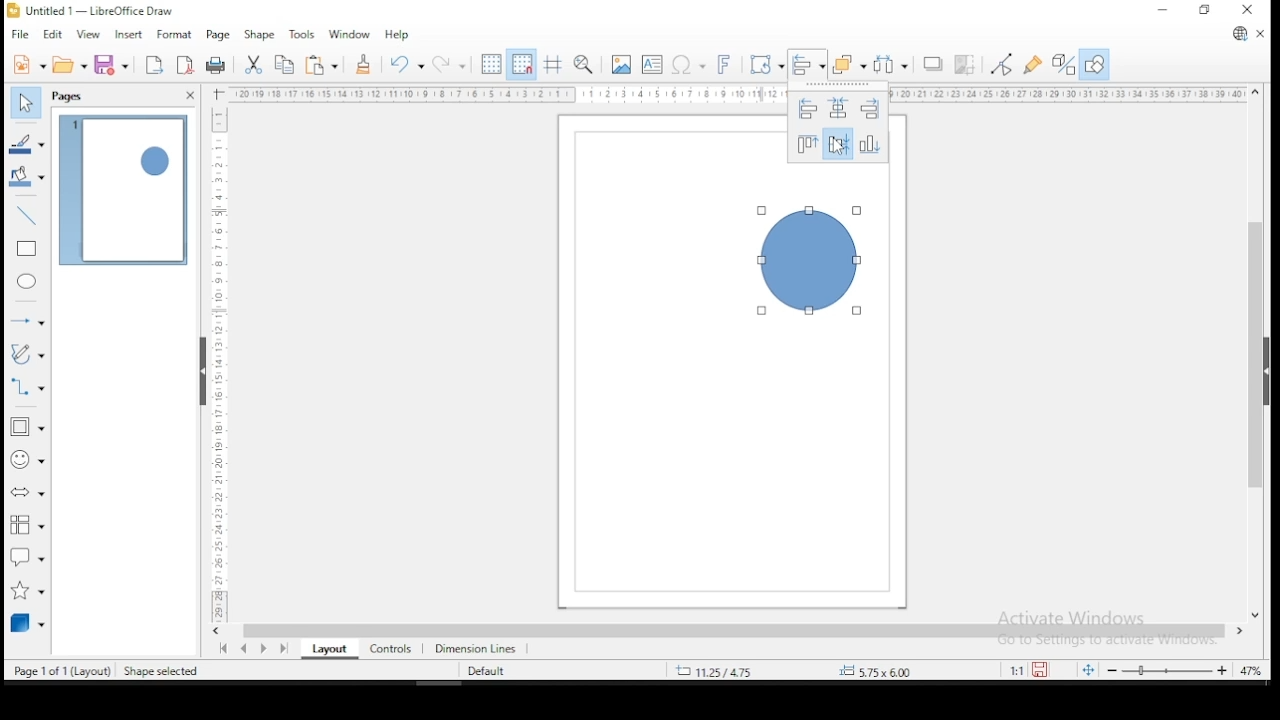 The image size is (1280, 720). What do you see at coordinates (28, 427) in the screenshot?
I see `simple shapes` at bounding box center [28, 427].